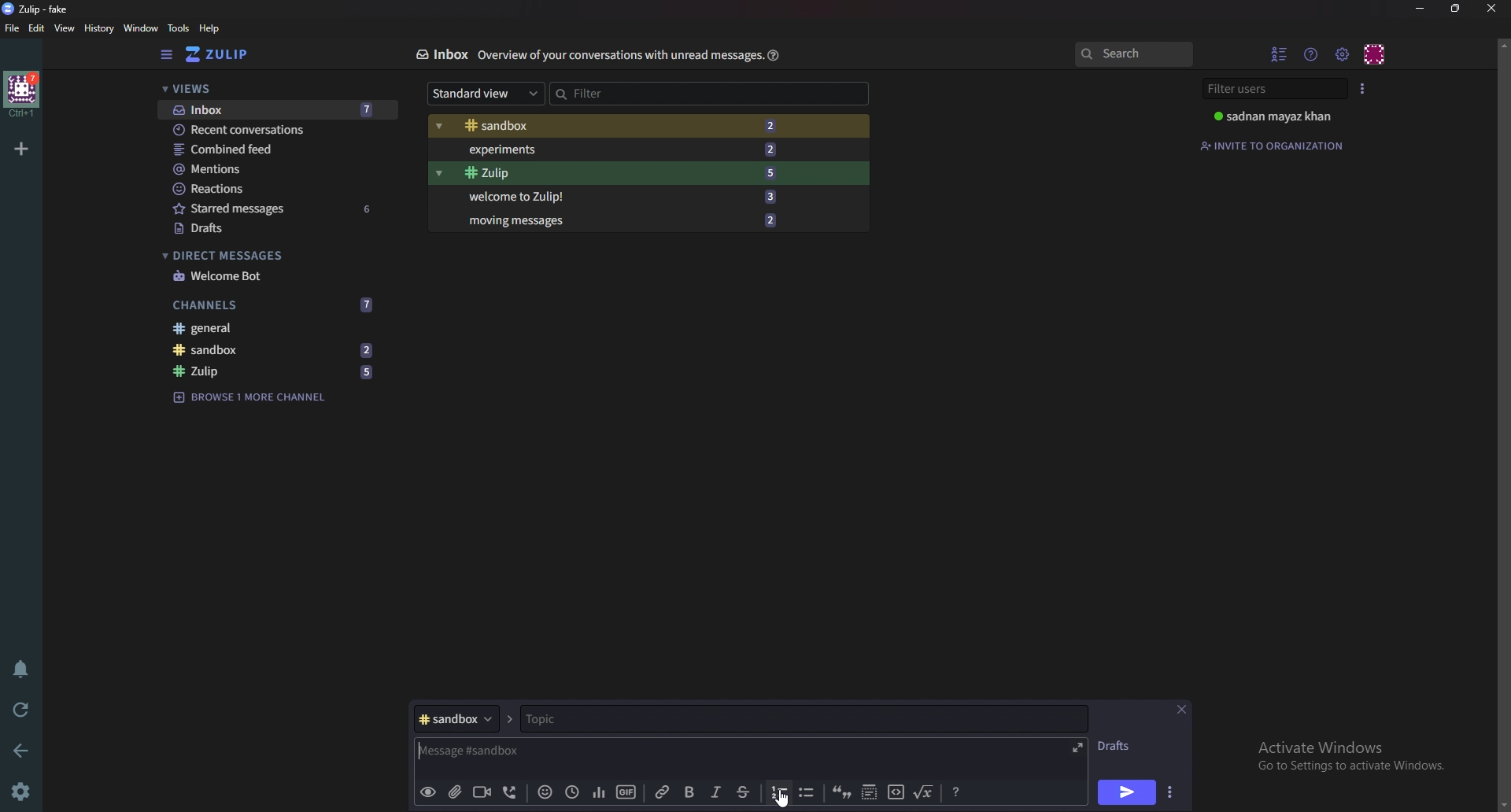  I want to click on home, so click(20, 94).